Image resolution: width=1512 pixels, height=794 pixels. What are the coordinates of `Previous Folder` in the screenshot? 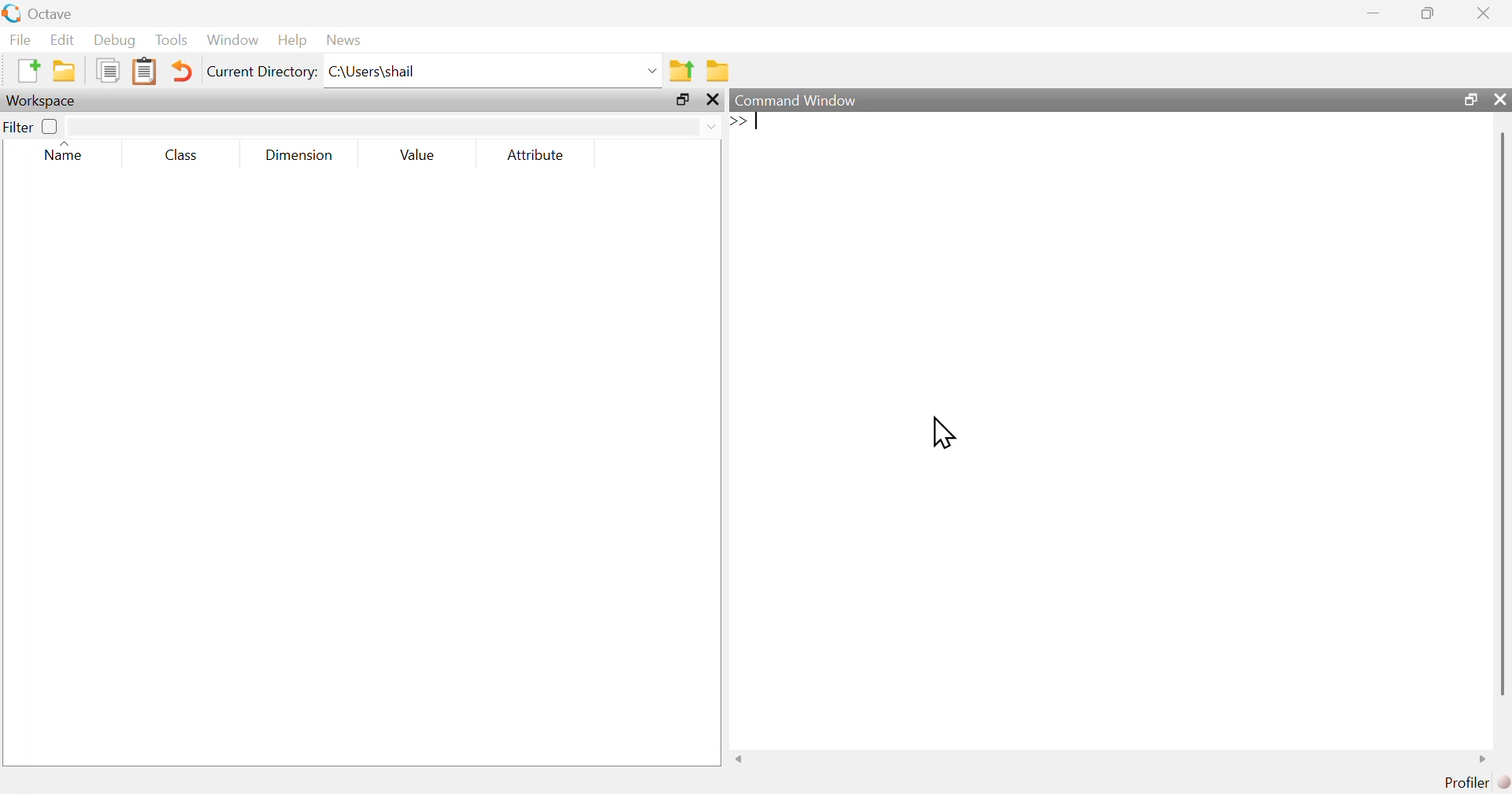 It's located at (681, 70).